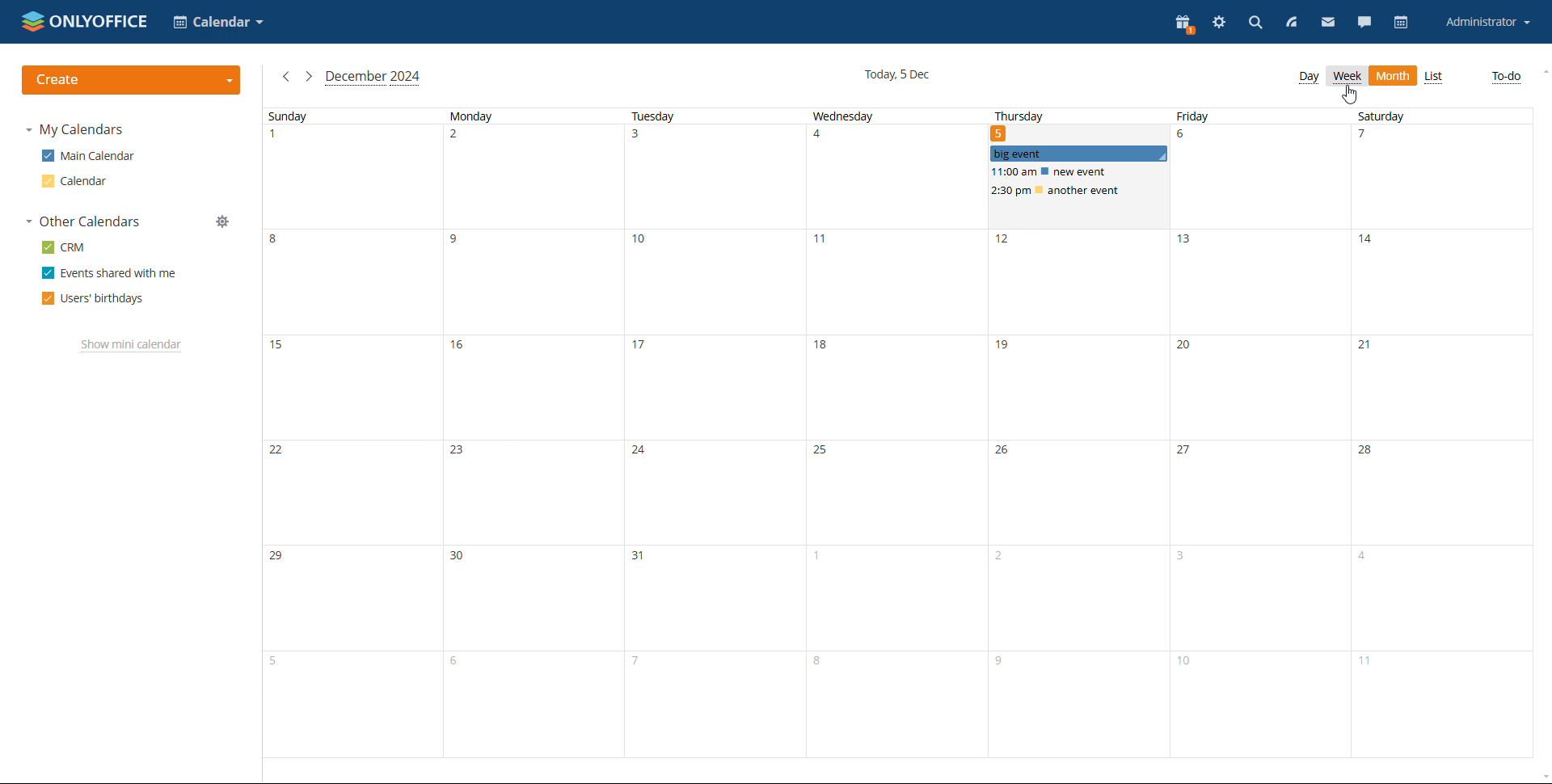  I want to click on other calendars, so click(82, 221).